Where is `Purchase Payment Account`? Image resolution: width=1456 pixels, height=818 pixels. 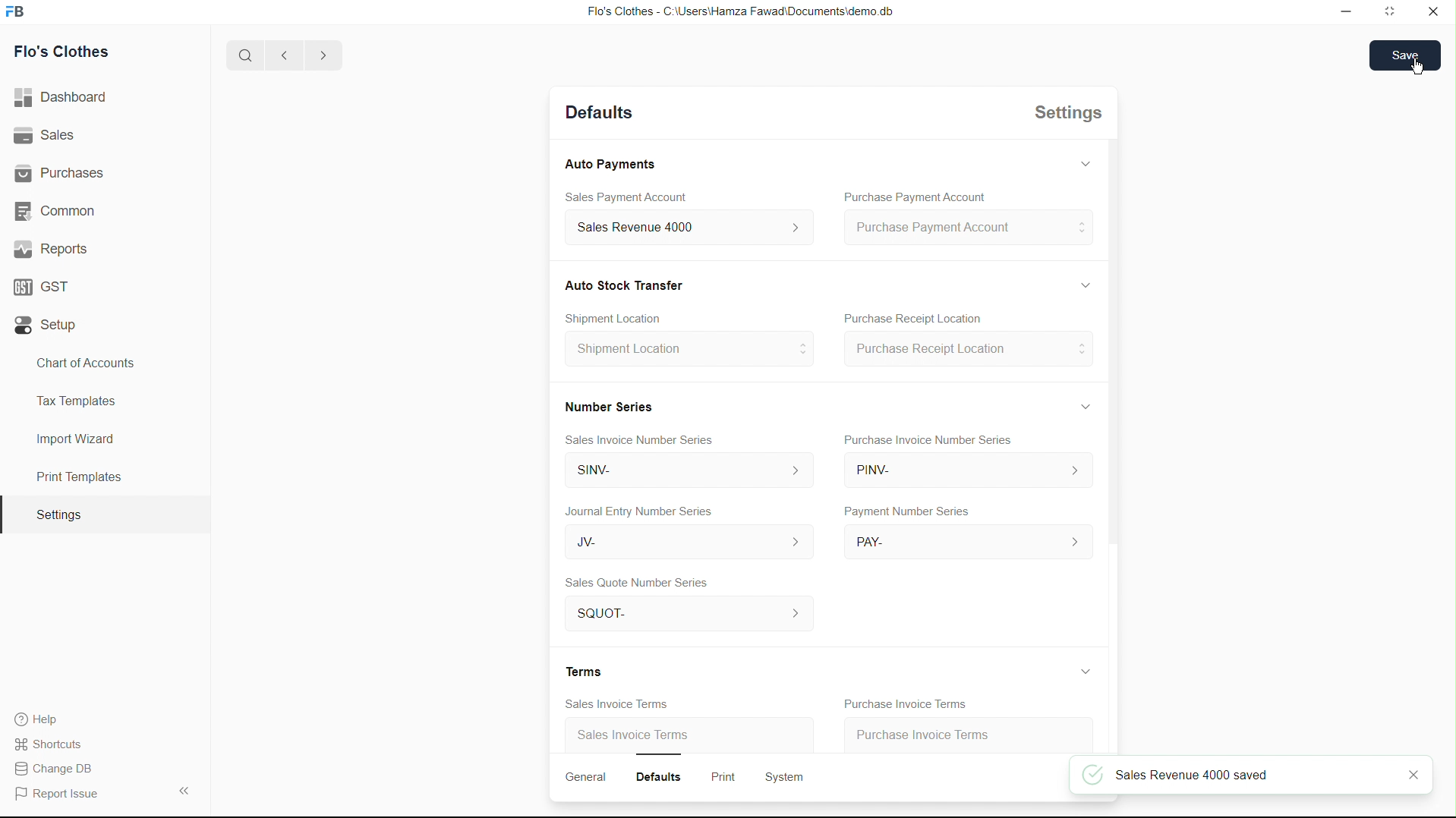 Purchase Payment Account is located at coordinates (913, 196).